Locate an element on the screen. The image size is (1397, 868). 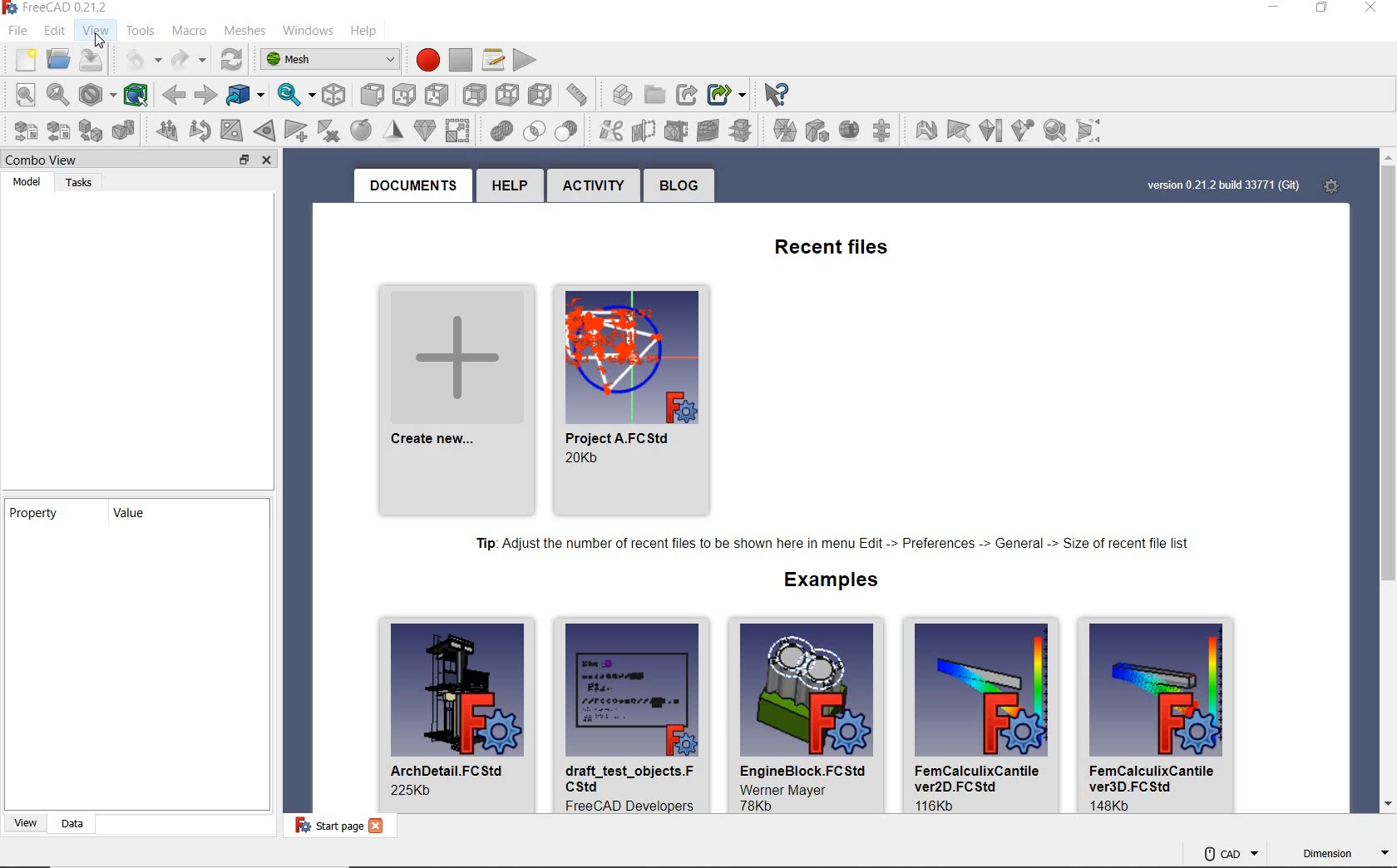
dimension is located at coordinates (1335, 853).